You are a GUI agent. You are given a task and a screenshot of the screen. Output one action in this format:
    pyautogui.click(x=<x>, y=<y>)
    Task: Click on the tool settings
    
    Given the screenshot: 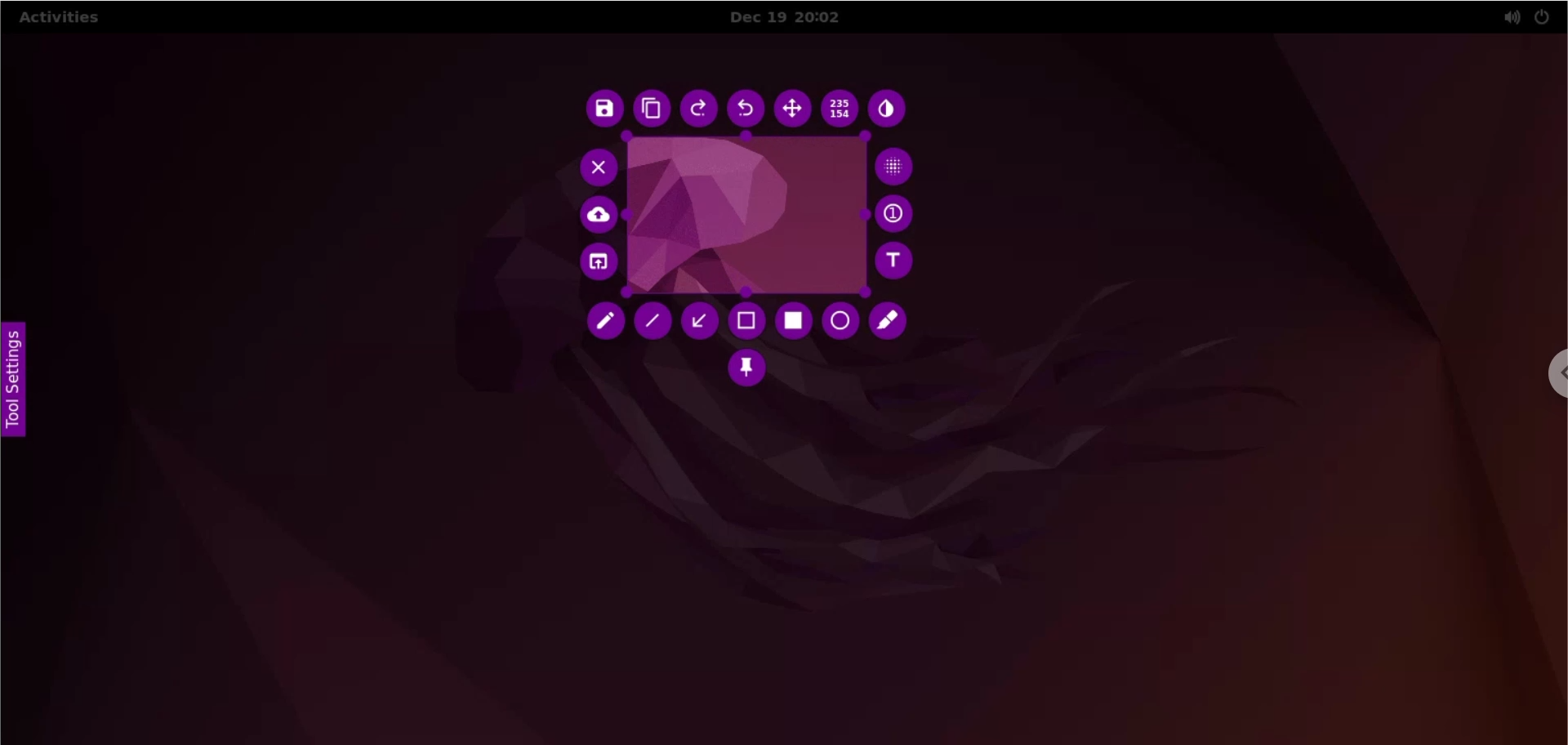 What is the action you would take?
    pyautogui.click(x=20, y=376)
    